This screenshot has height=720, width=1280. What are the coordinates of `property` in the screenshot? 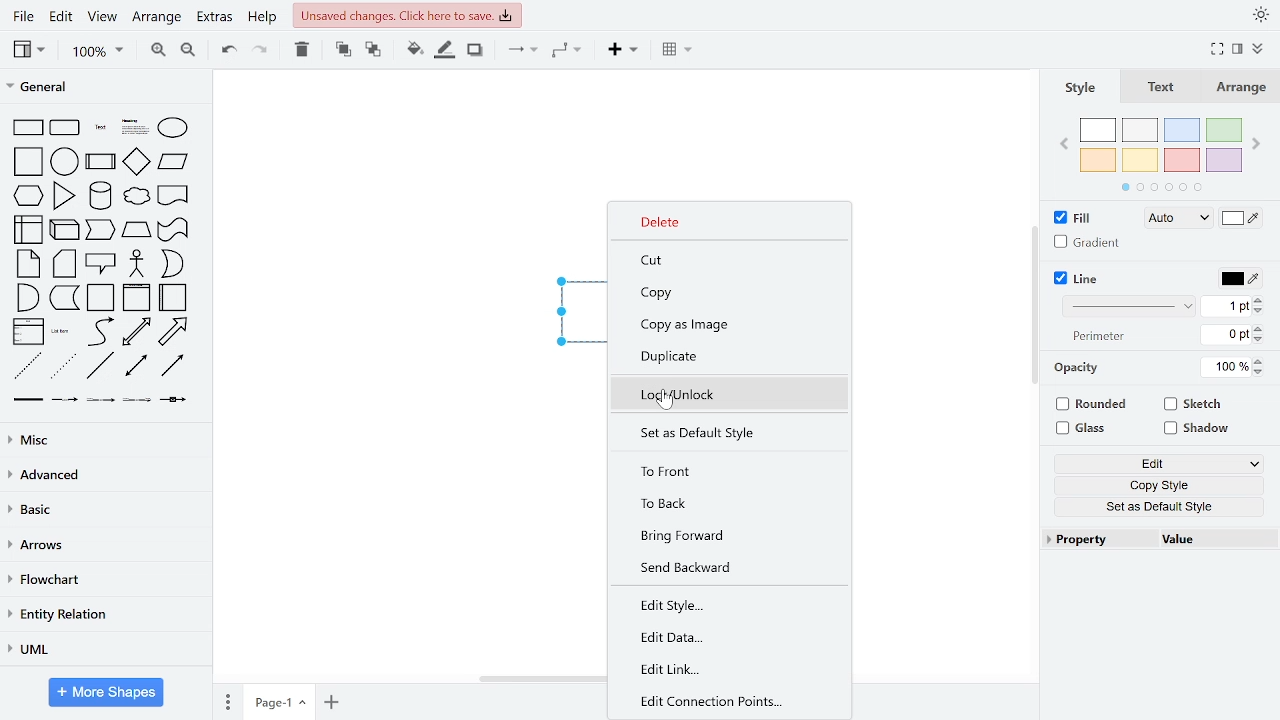 It's located at (1100, 540).